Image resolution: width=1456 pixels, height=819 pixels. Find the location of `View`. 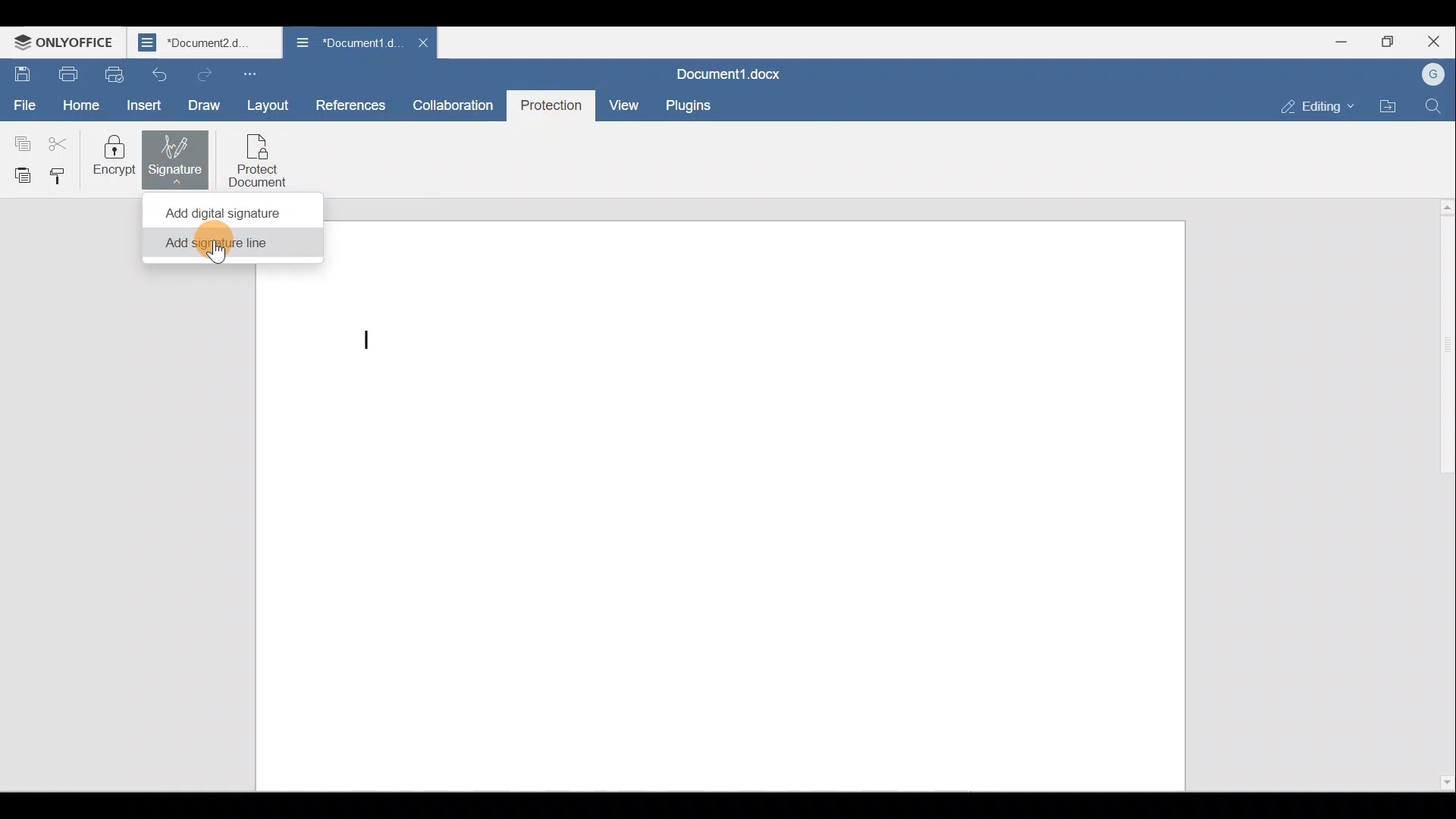

View is located at coordinates (626, 104).